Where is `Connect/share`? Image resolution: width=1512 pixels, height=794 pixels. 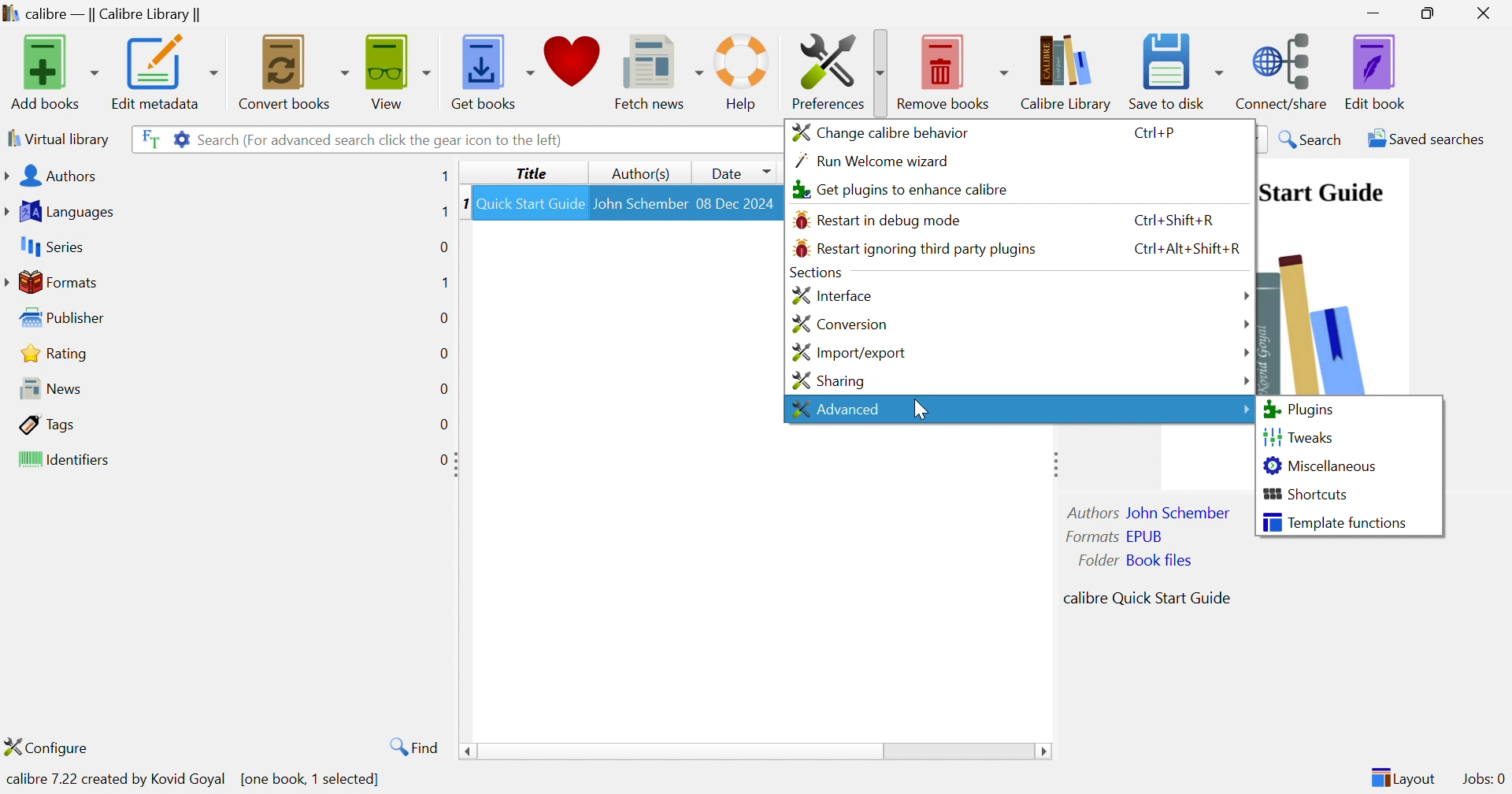
Connect/share is located at coordinates (1284, 68).